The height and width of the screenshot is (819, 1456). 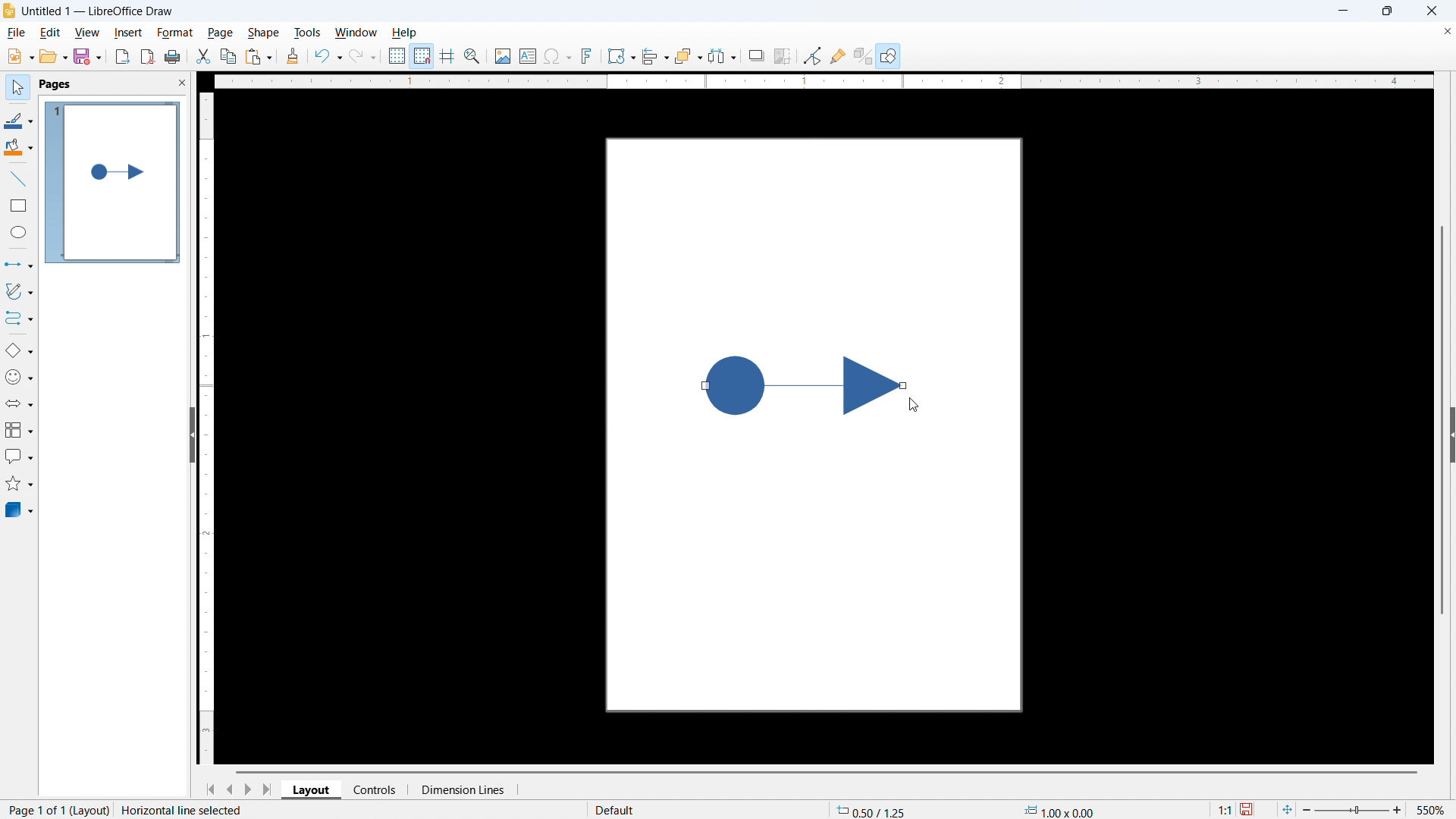 I want to click on Format , so click(x=174, y=32).